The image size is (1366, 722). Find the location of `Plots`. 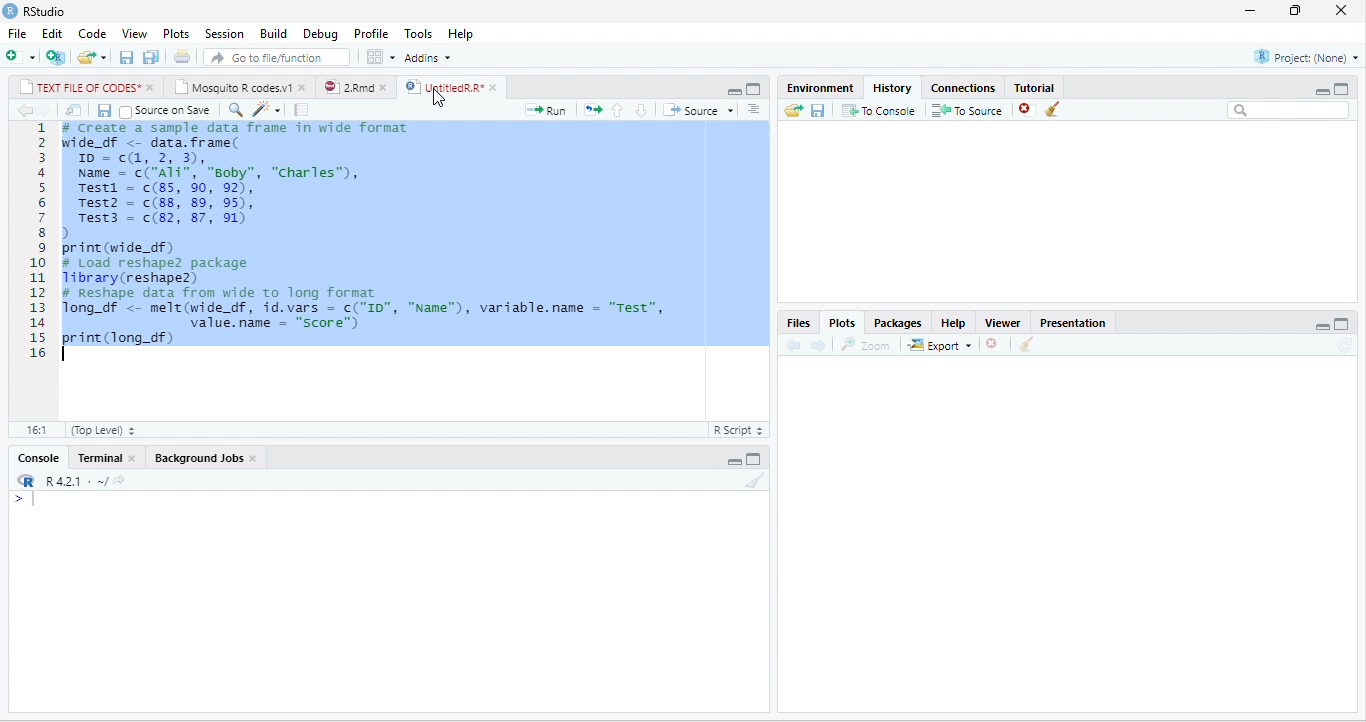

Plots is located at coordinates (177, 34).